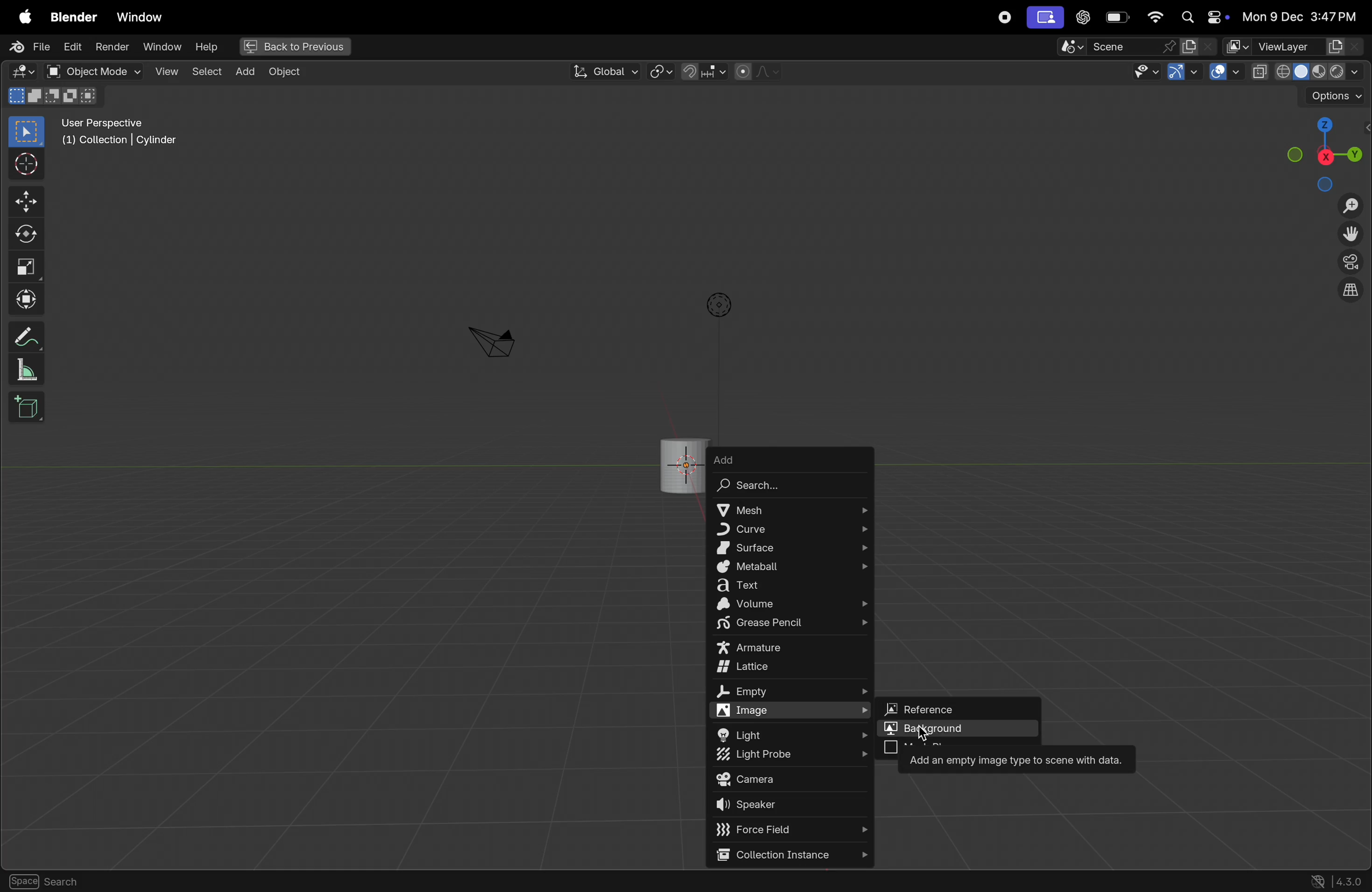 Image resolution: width=1372 pixels, height=892 pixels. What do you see at coordinates (1200, 46) in the screenshot?
I see `active workspace` at bounding box center [1200, 46].